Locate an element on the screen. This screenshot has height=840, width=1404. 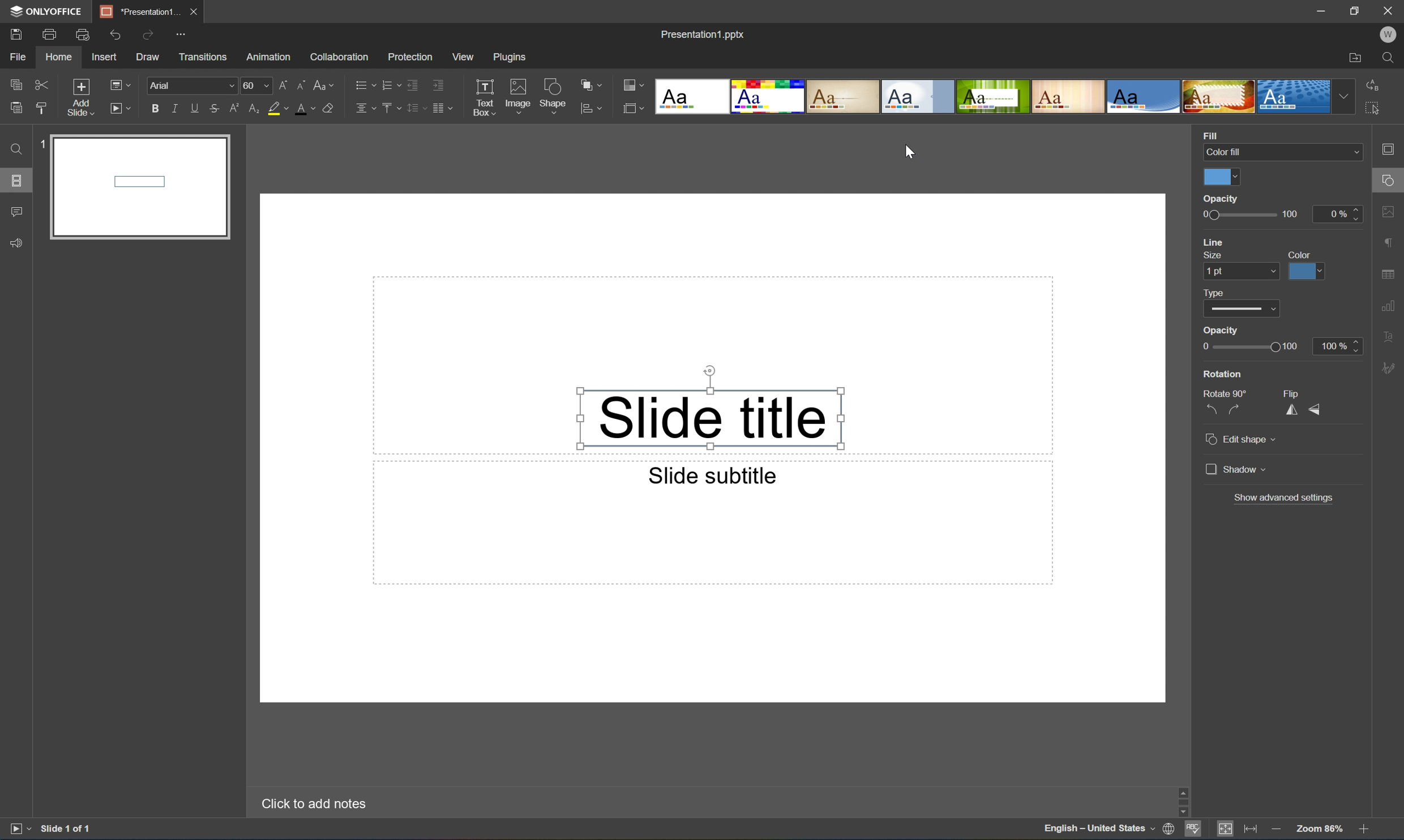
Set document language is located at coordinates (1168, 830).